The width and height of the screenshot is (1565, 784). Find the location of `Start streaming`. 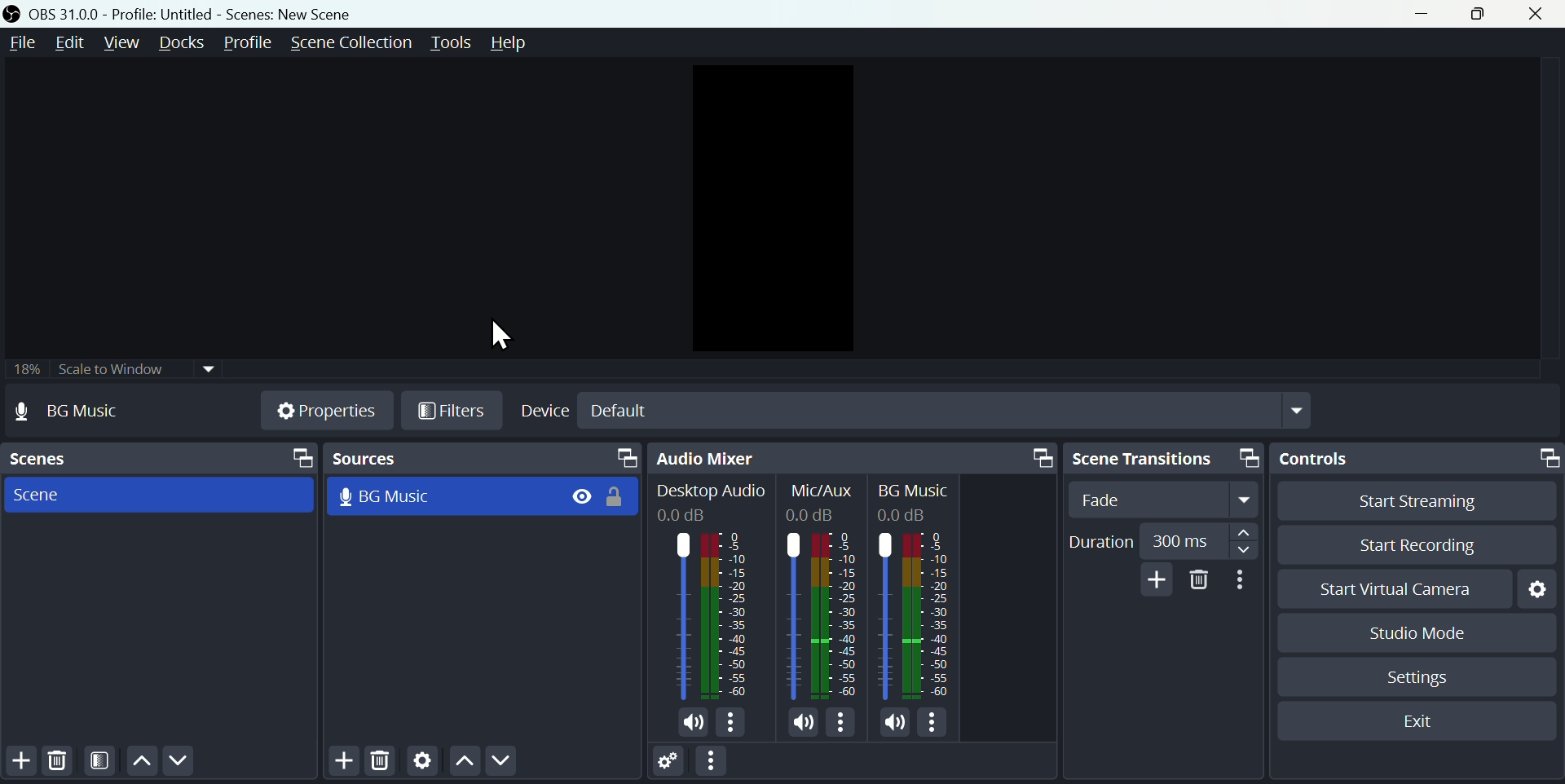

Start streaming is located at coordinates (1415, 499).